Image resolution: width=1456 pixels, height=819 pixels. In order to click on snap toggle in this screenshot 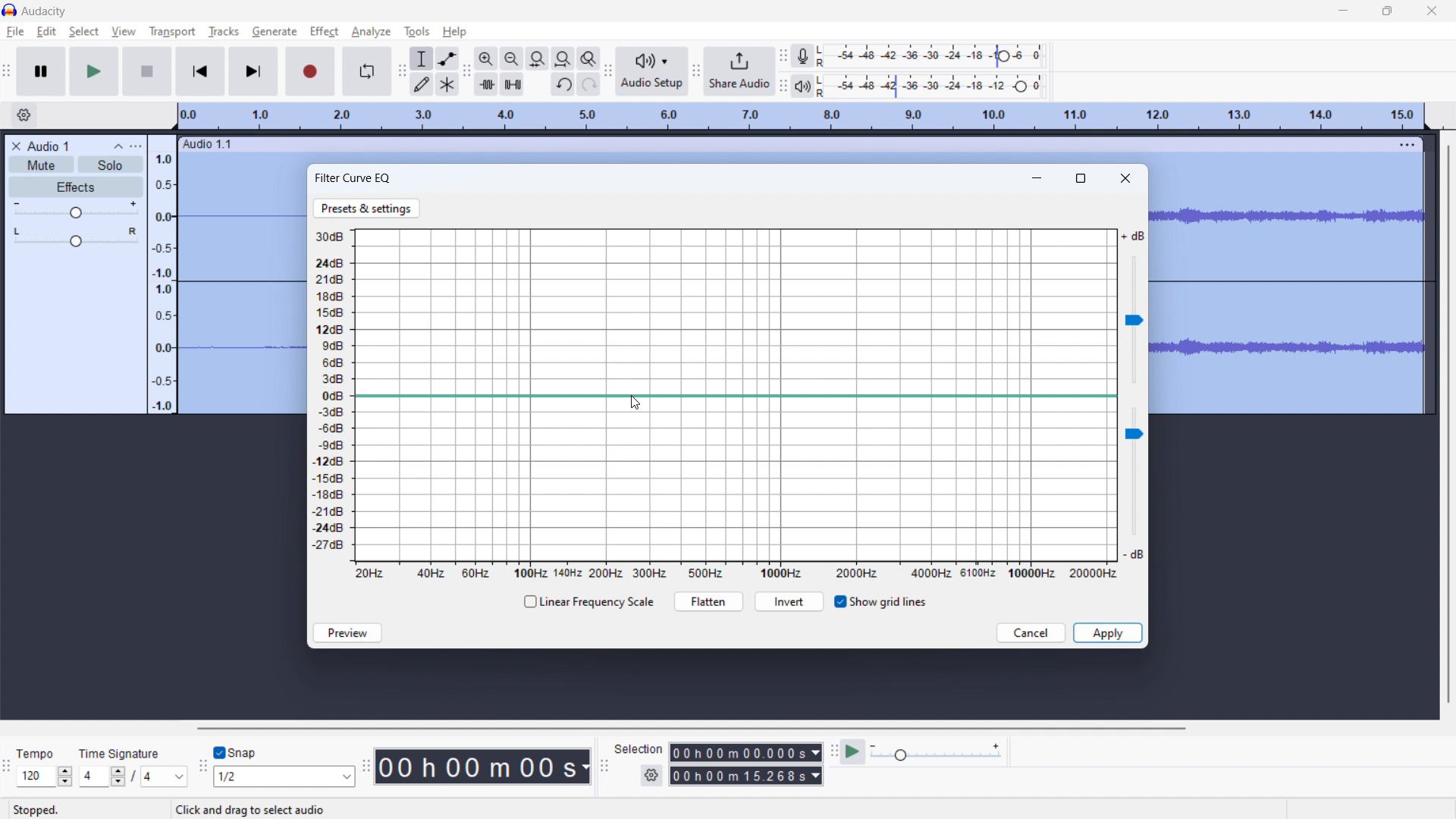, I will do `click(236, 752)`.